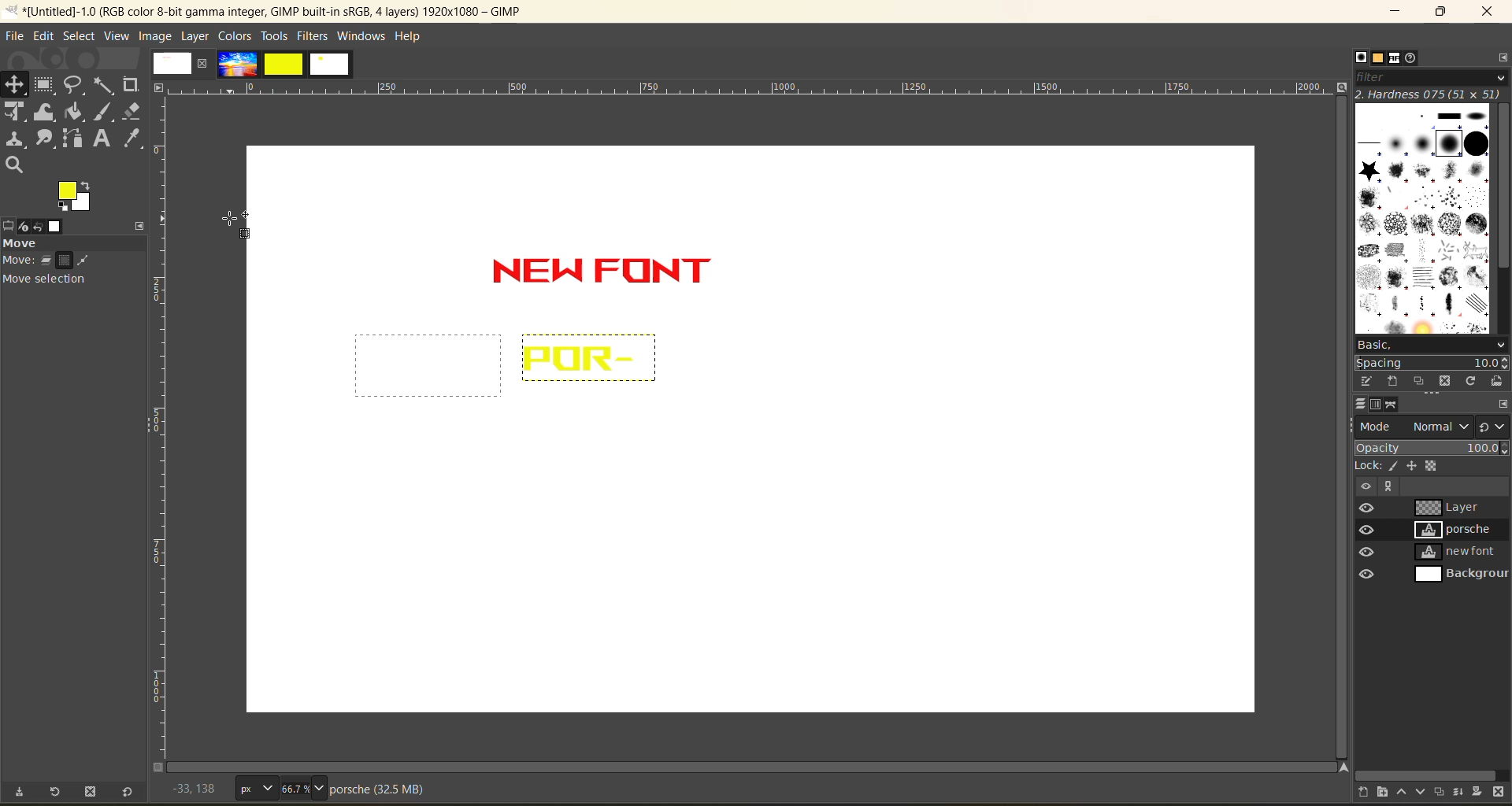 This screenshot has height=806, width=1512. I want to click on configure, so click(1503, 403).